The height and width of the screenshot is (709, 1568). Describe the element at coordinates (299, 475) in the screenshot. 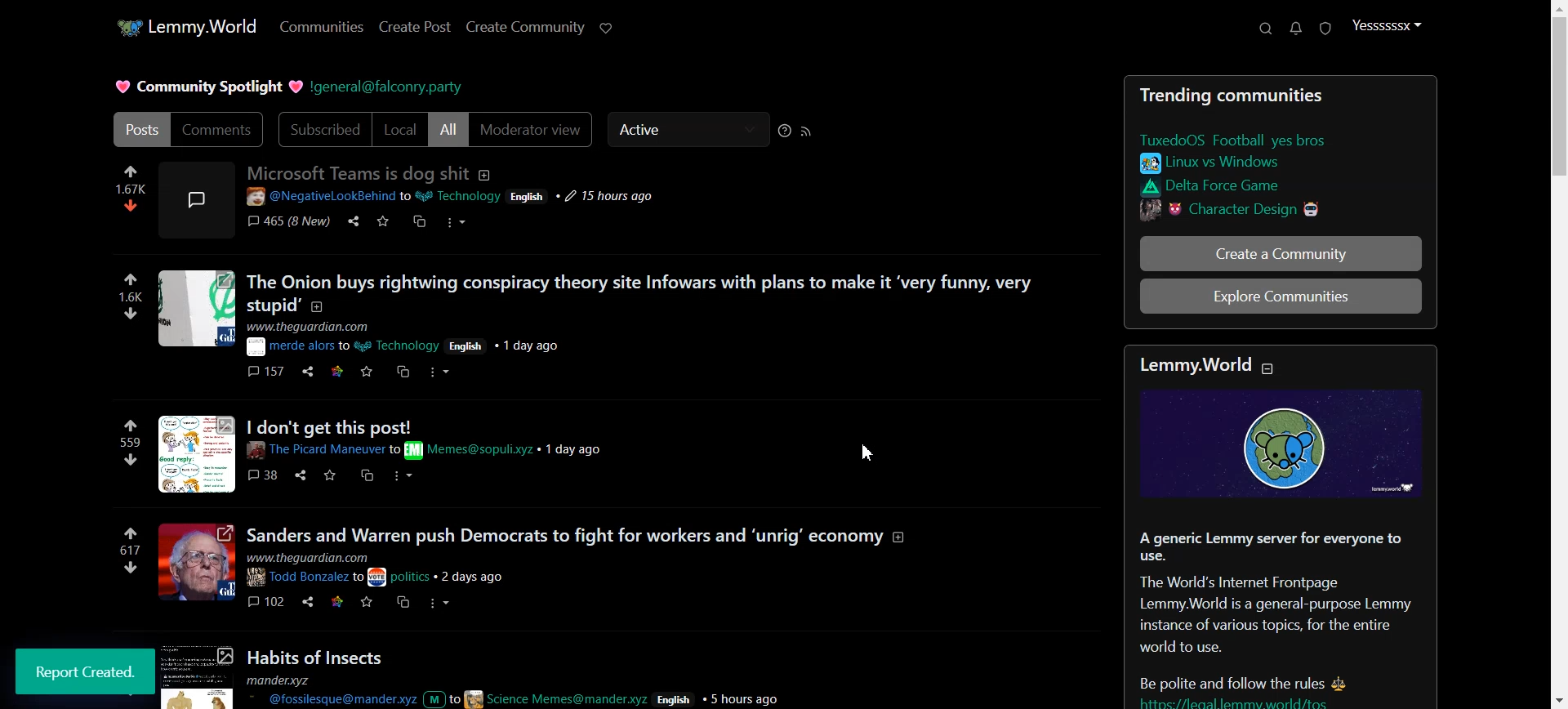

I see `share` at that location.